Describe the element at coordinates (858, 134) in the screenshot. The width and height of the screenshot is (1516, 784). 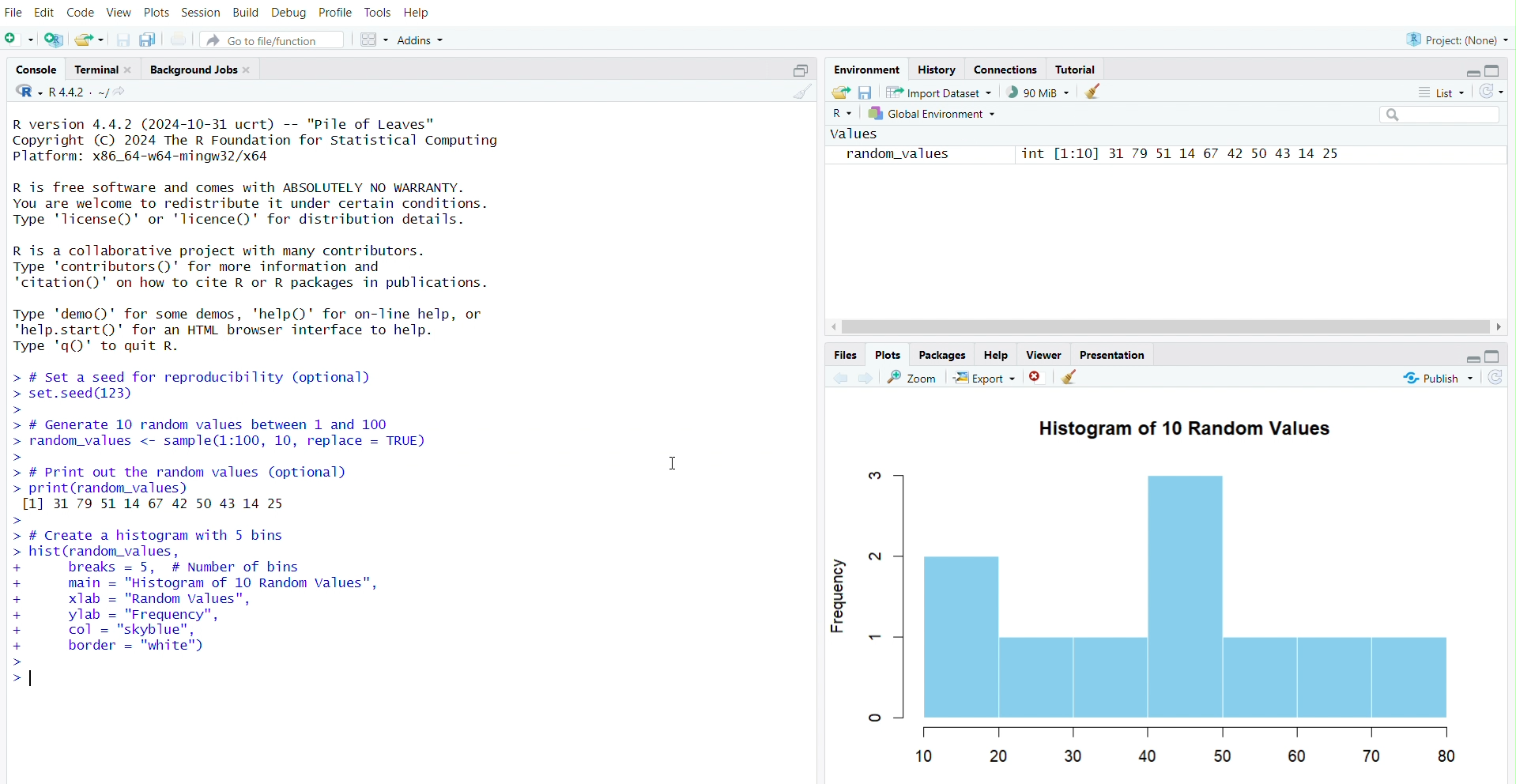
I see `values` at that location.